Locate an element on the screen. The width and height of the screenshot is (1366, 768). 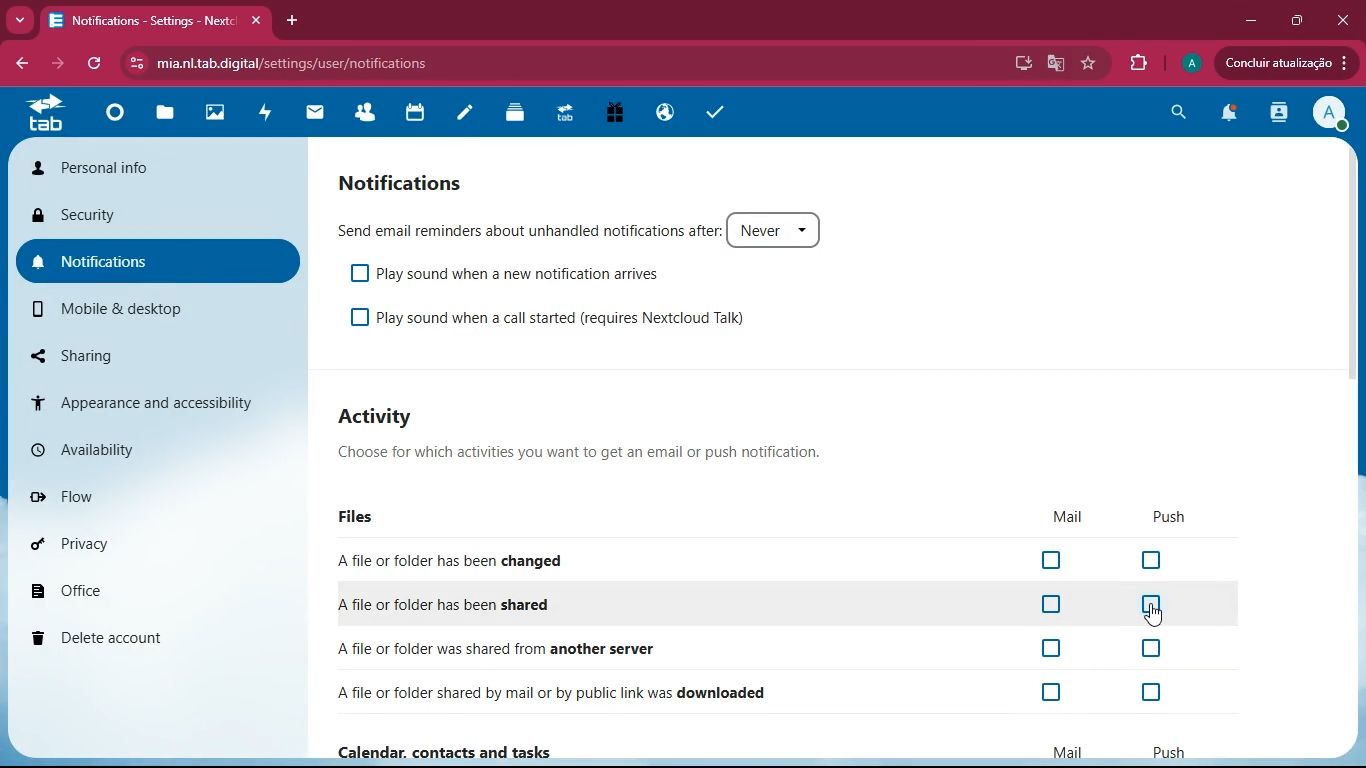
layers is located at coordinates (511, 112).